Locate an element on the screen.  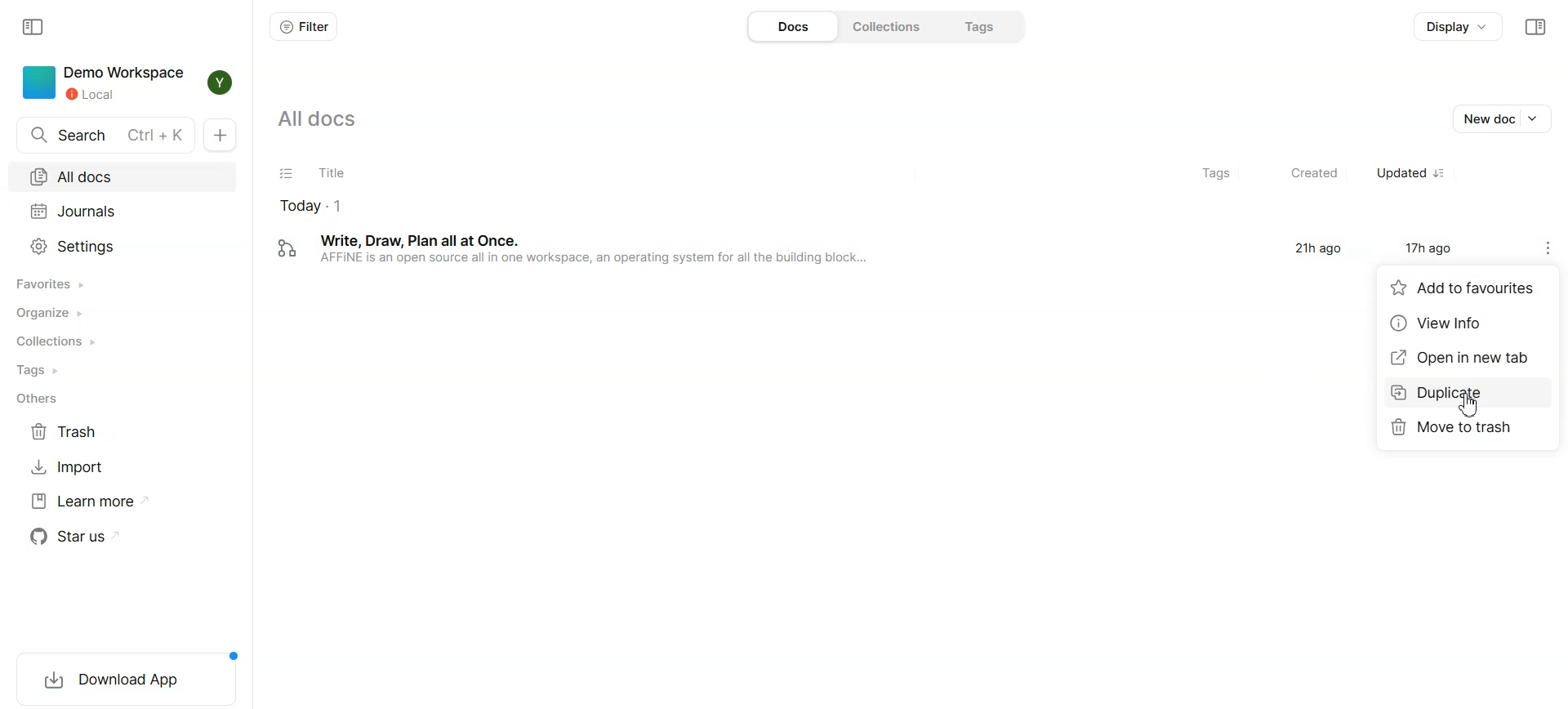
Collections is located at coordinates (891, 27).